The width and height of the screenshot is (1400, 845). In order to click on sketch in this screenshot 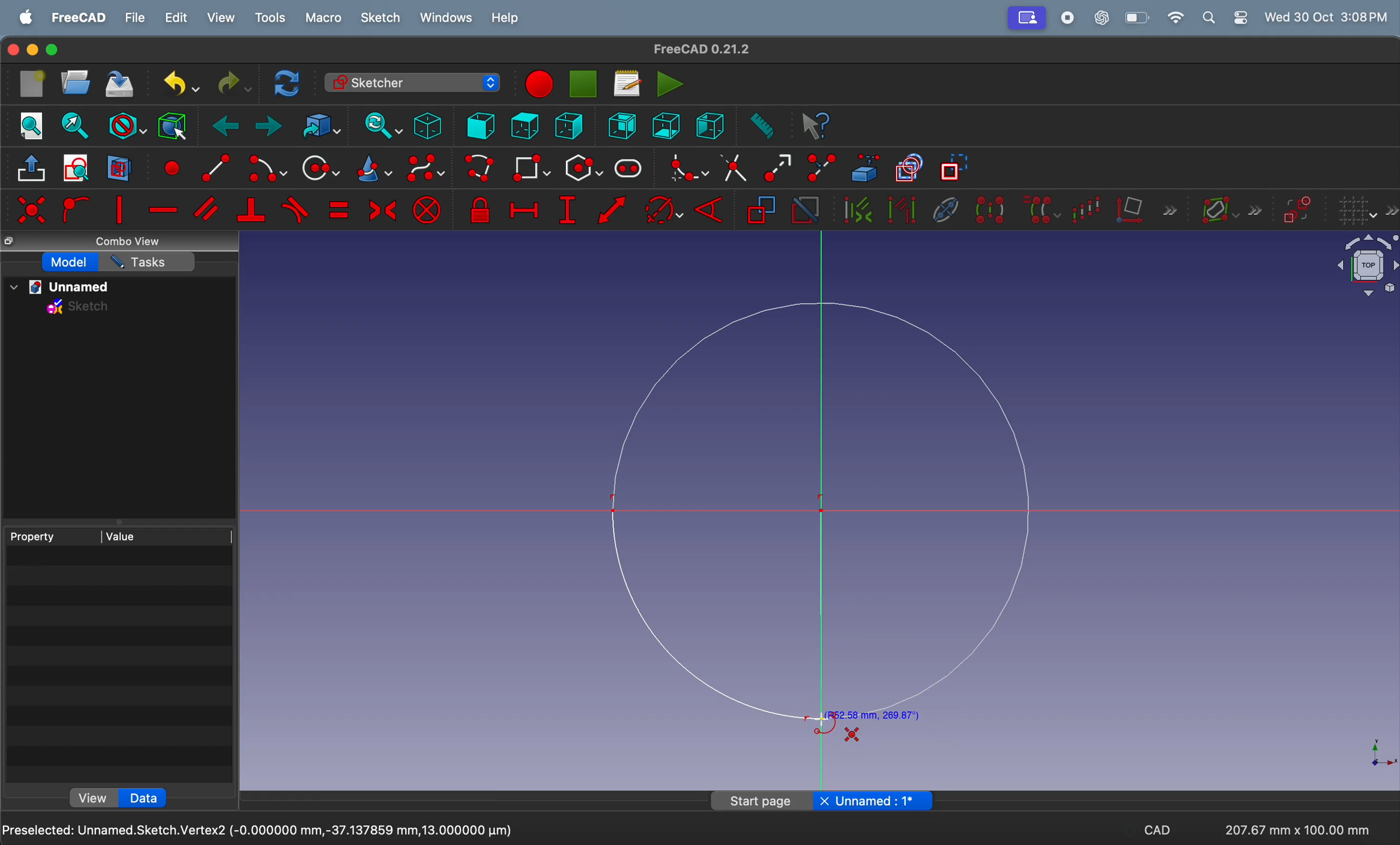, I will do `click(79, 309)`.